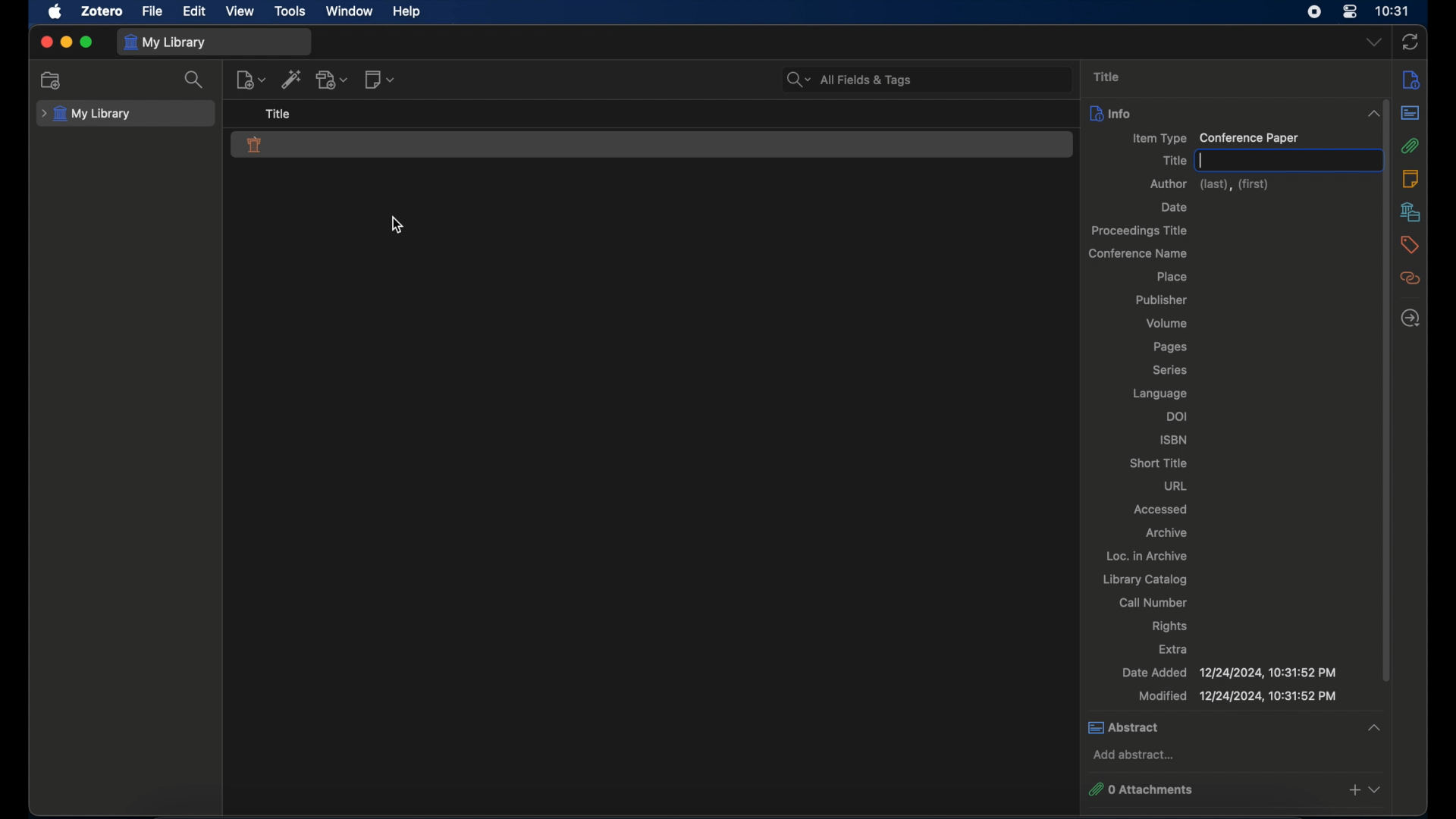  What do you see at coordinates (56, 11) in the screenshot?
I see `apple` at bounding box center [56, 11].